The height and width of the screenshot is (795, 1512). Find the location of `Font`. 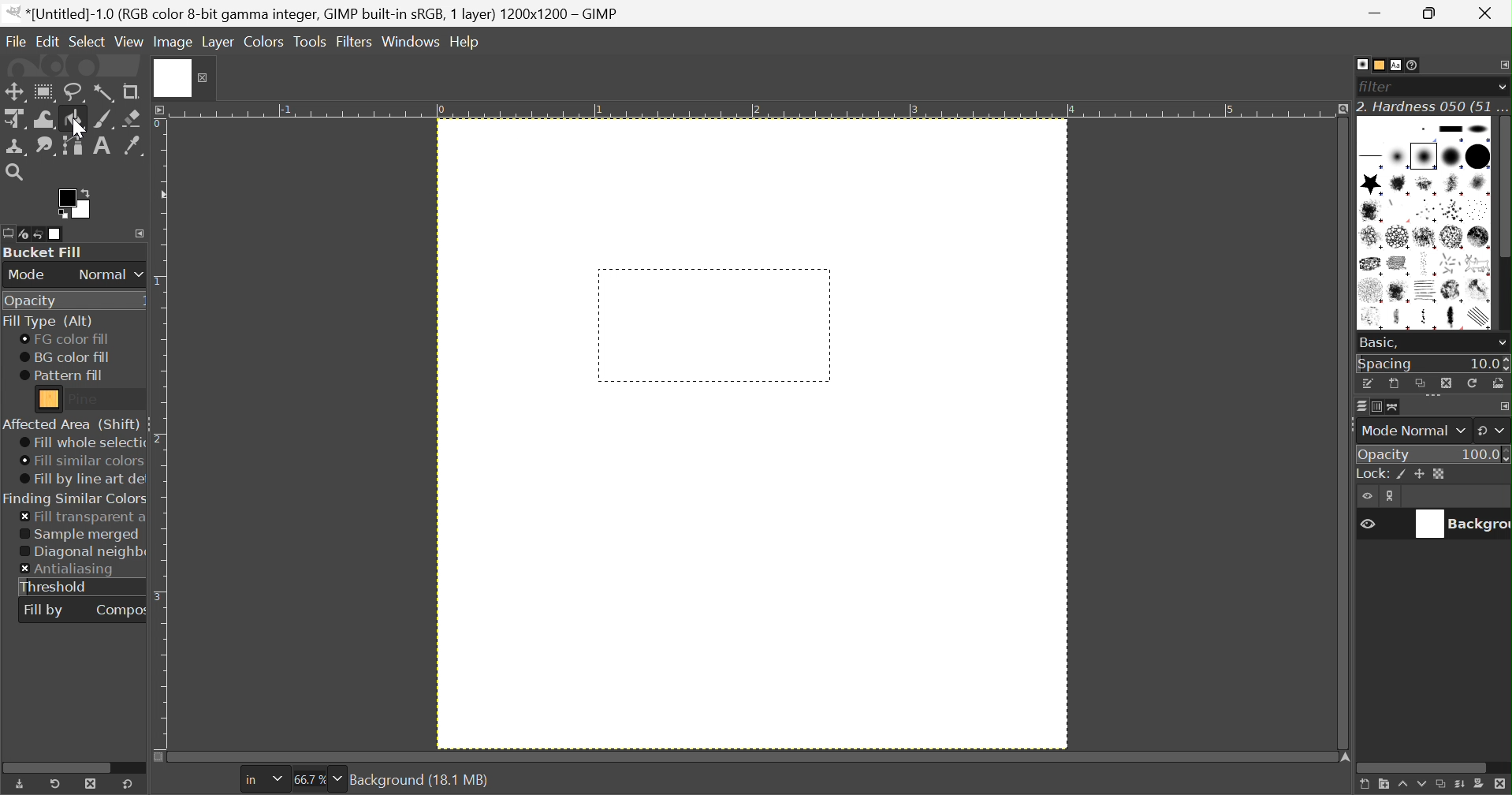

Font is located at coordinates (1397, 66).